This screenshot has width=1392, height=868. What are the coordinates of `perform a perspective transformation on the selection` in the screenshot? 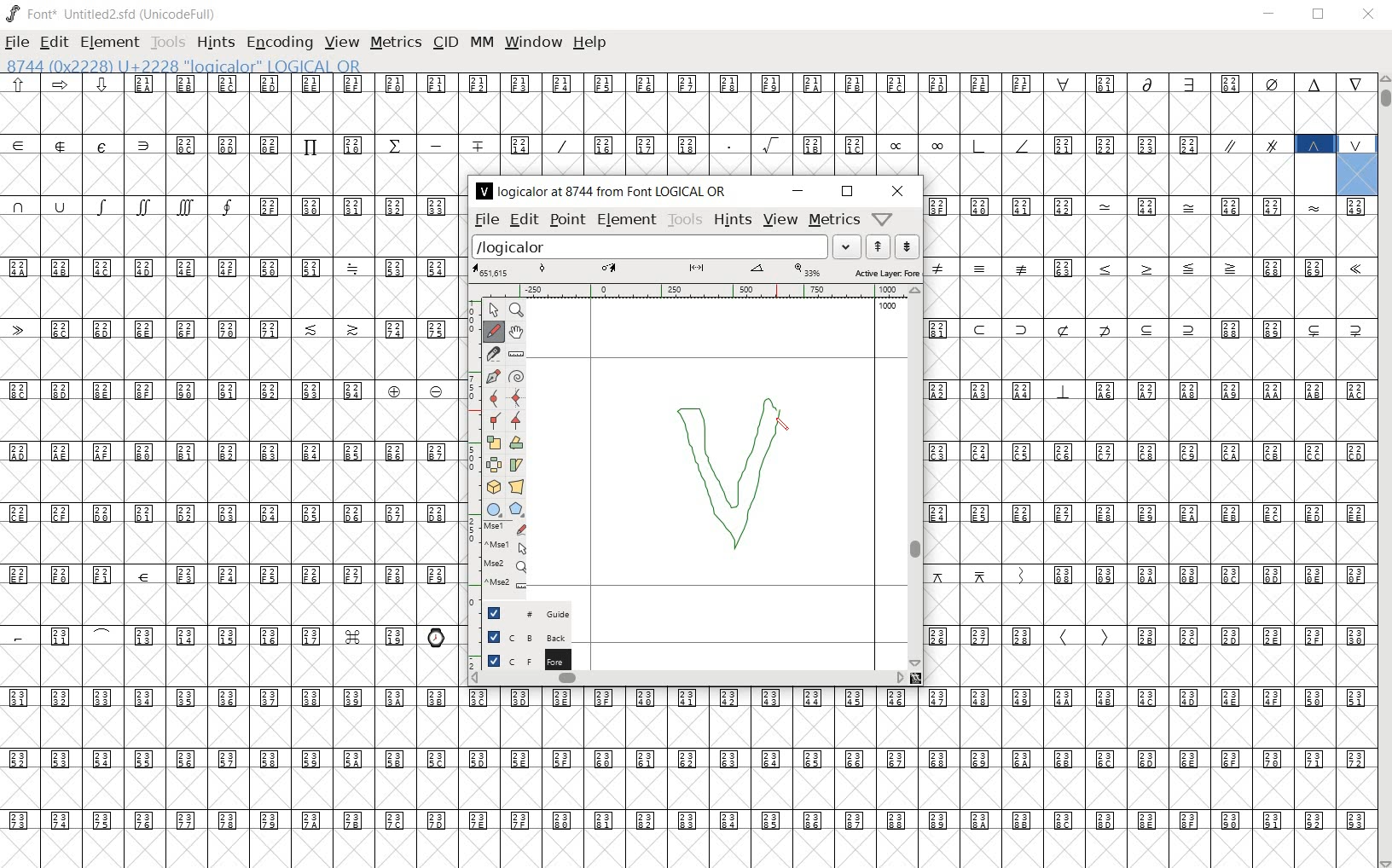 It's located at (517, 487).